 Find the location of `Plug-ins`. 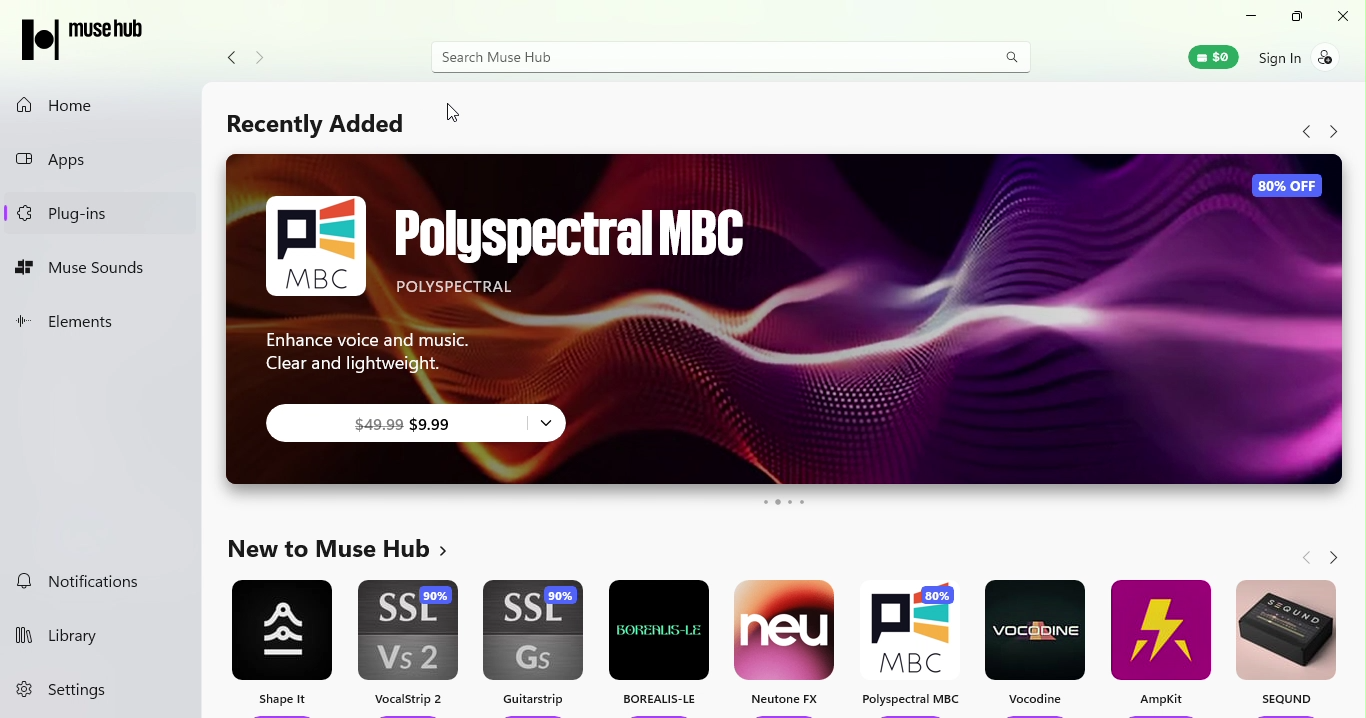

Plug-ins is located at coordinates (103, 209).